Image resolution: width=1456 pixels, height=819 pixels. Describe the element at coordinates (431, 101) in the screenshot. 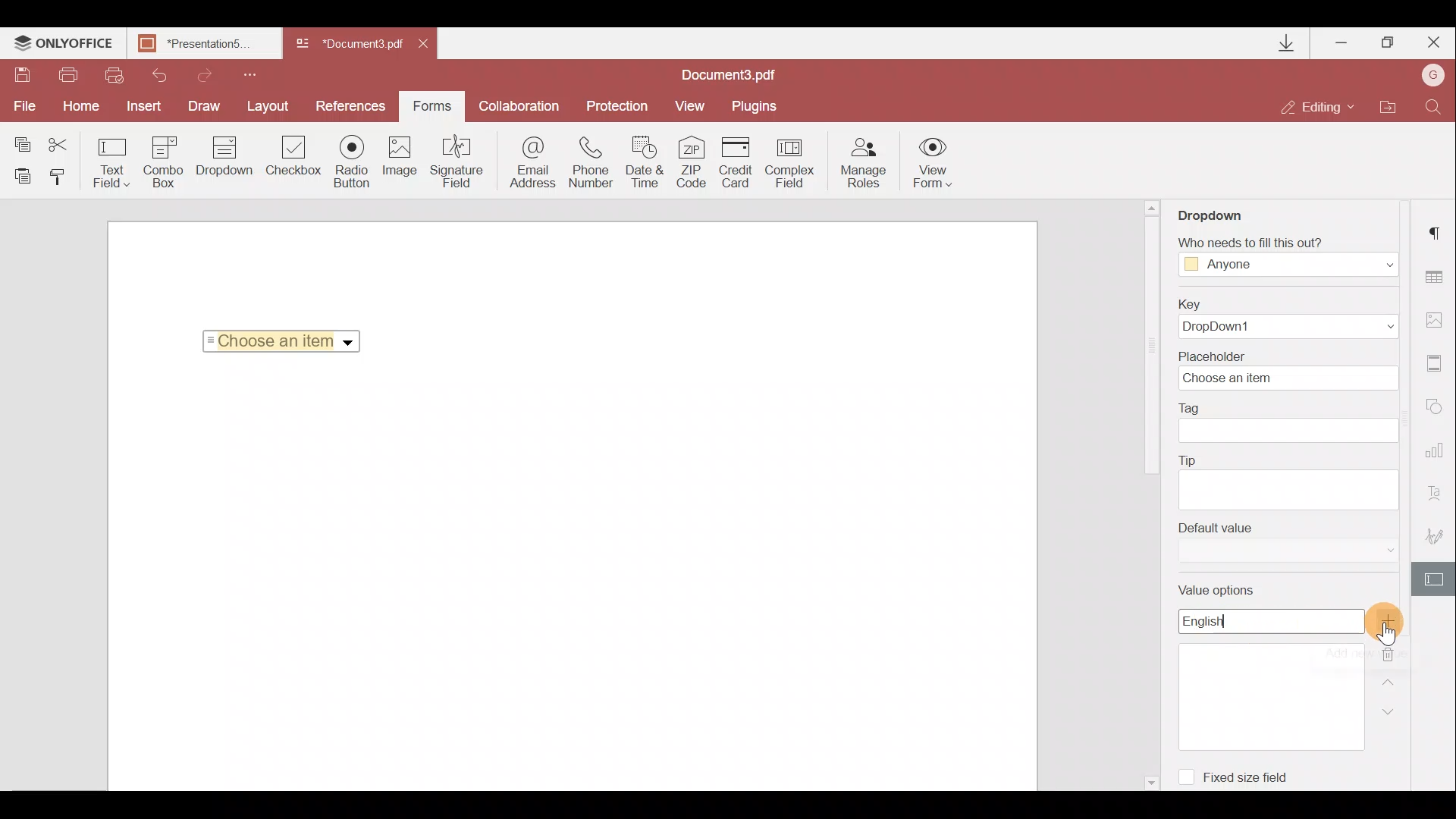

I see `Forms` at that location.